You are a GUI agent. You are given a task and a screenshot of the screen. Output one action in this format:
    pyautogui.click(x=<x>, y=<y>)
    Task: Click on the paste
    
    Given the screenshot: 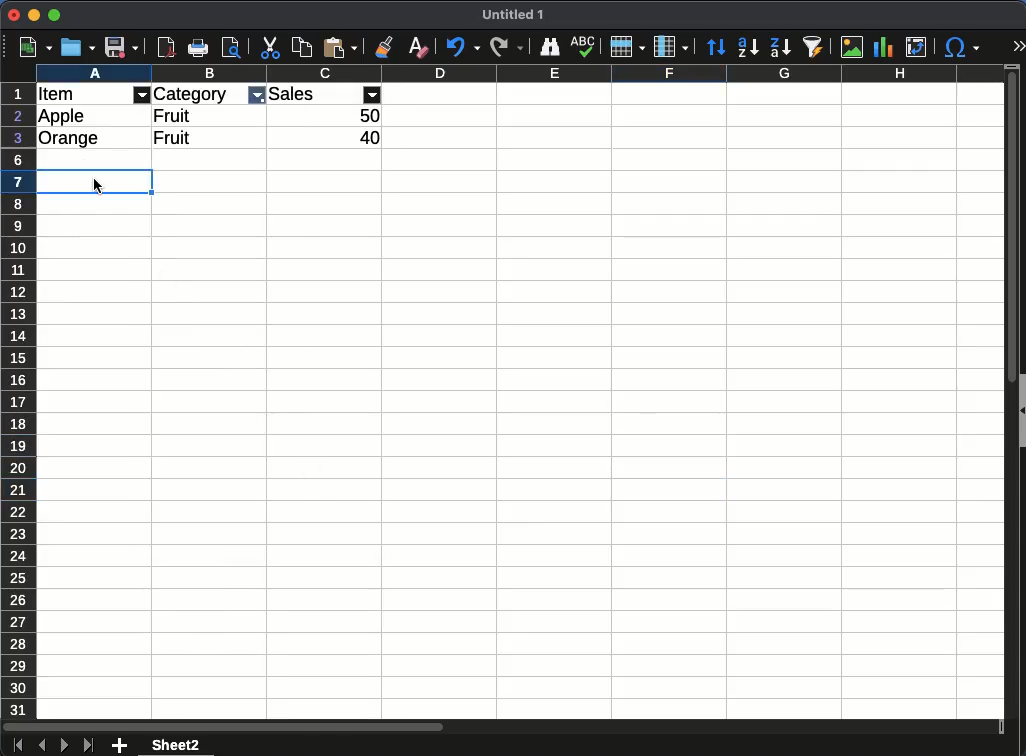 What is the action you would take?
    pyautogui.click(x=340, y=48)
    